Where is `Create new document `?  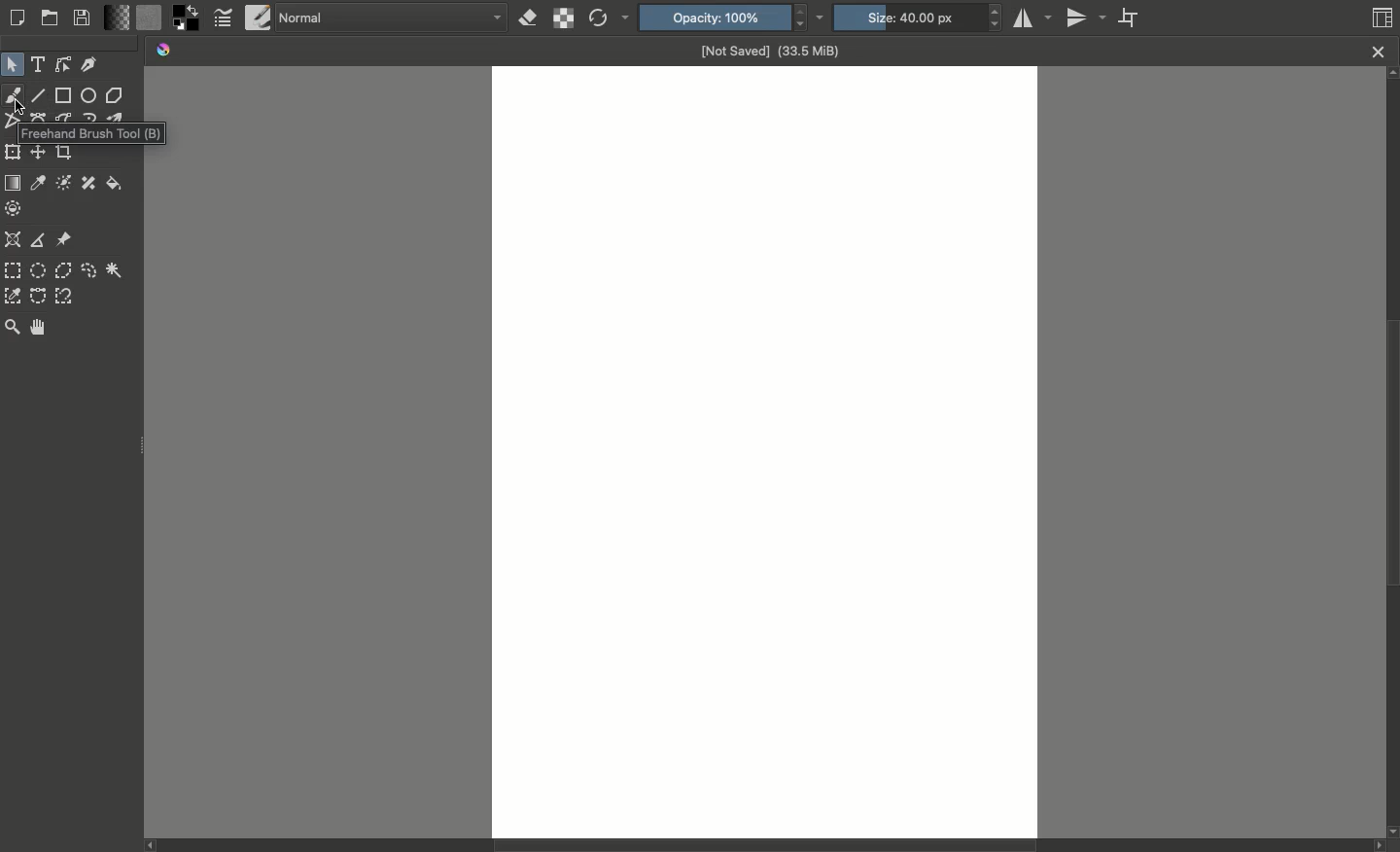 Create new document  is located at coordinates (18, 18).